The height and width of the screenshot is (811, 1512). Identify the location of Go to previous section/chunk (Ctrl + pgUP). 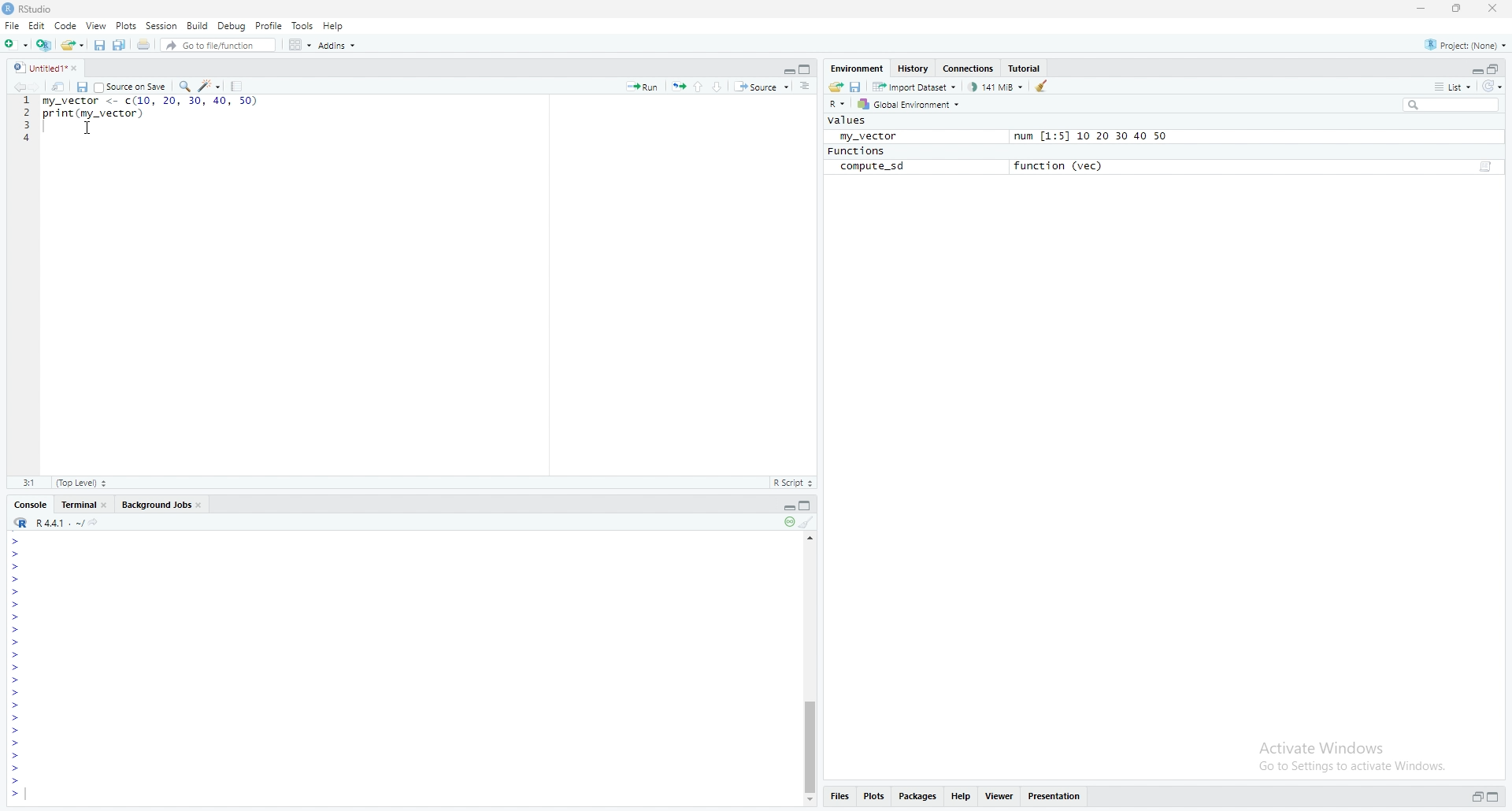
(699, 85).